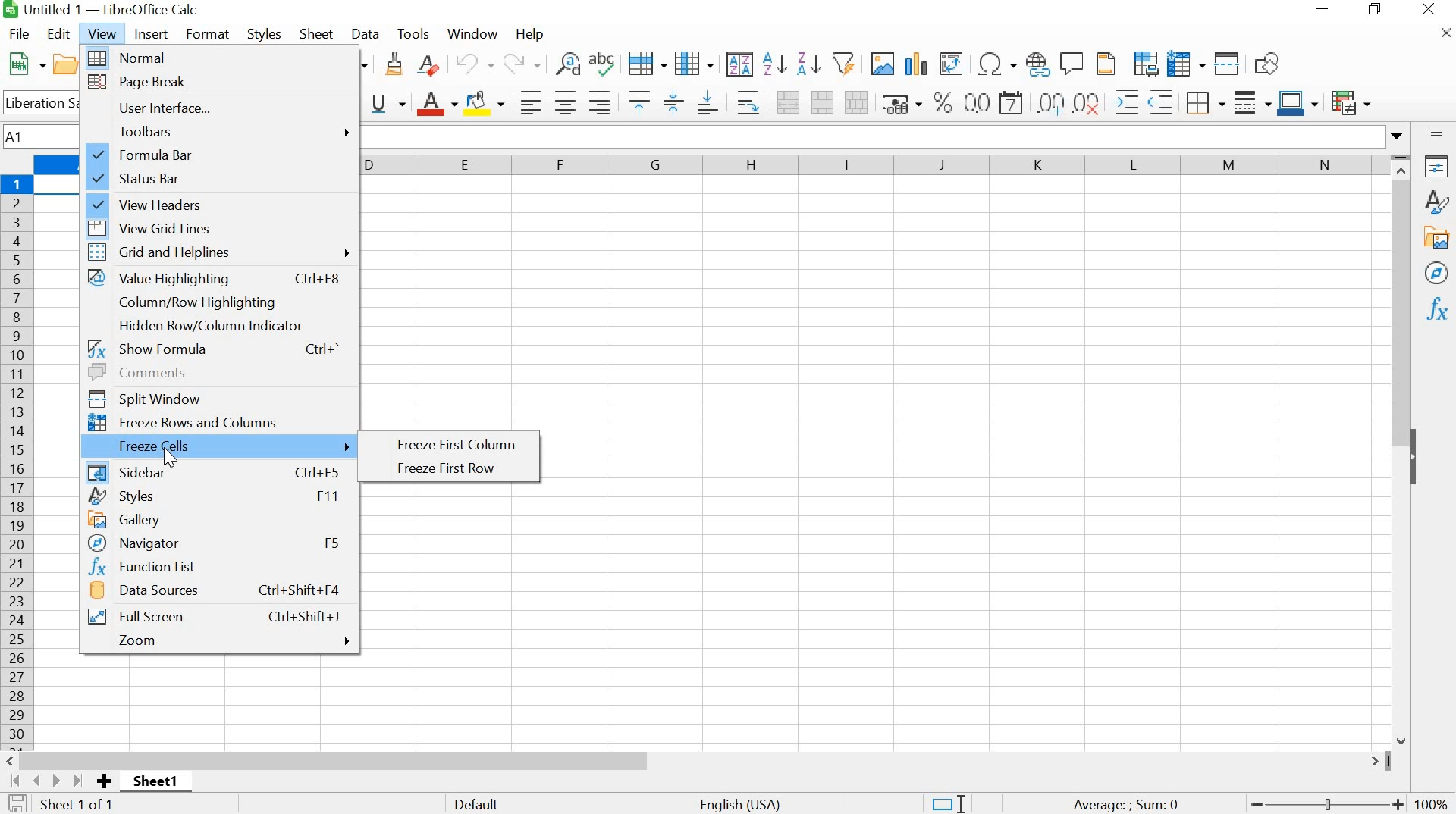 Image resolution: width=1456 pixels, height=814 pixels. I want to click on FREEZE ROWS AND COLUMNS, so click(1184, 63).